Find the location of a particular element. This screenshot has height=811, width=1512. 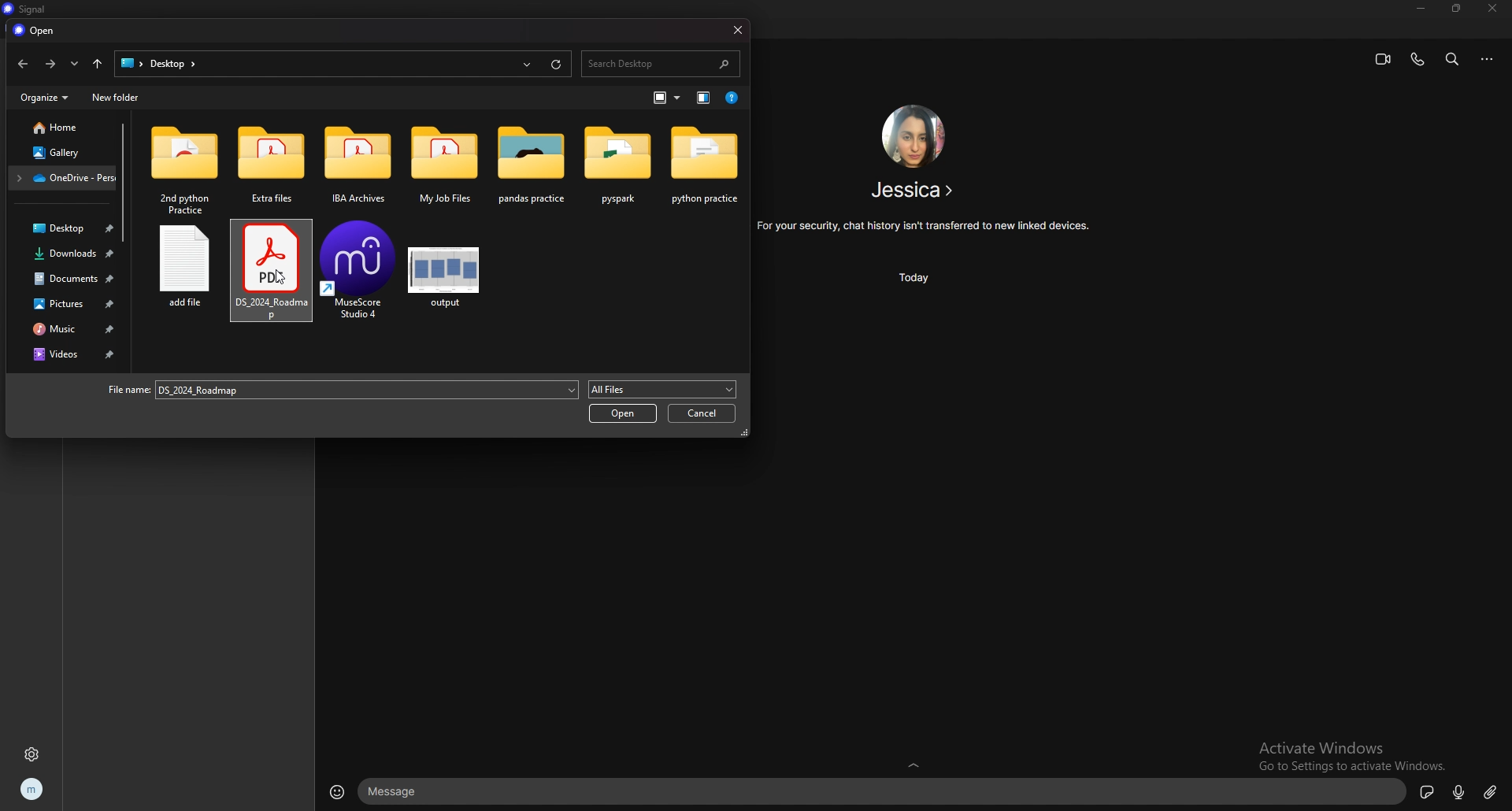

desktop is located at coordinates (64, 228).